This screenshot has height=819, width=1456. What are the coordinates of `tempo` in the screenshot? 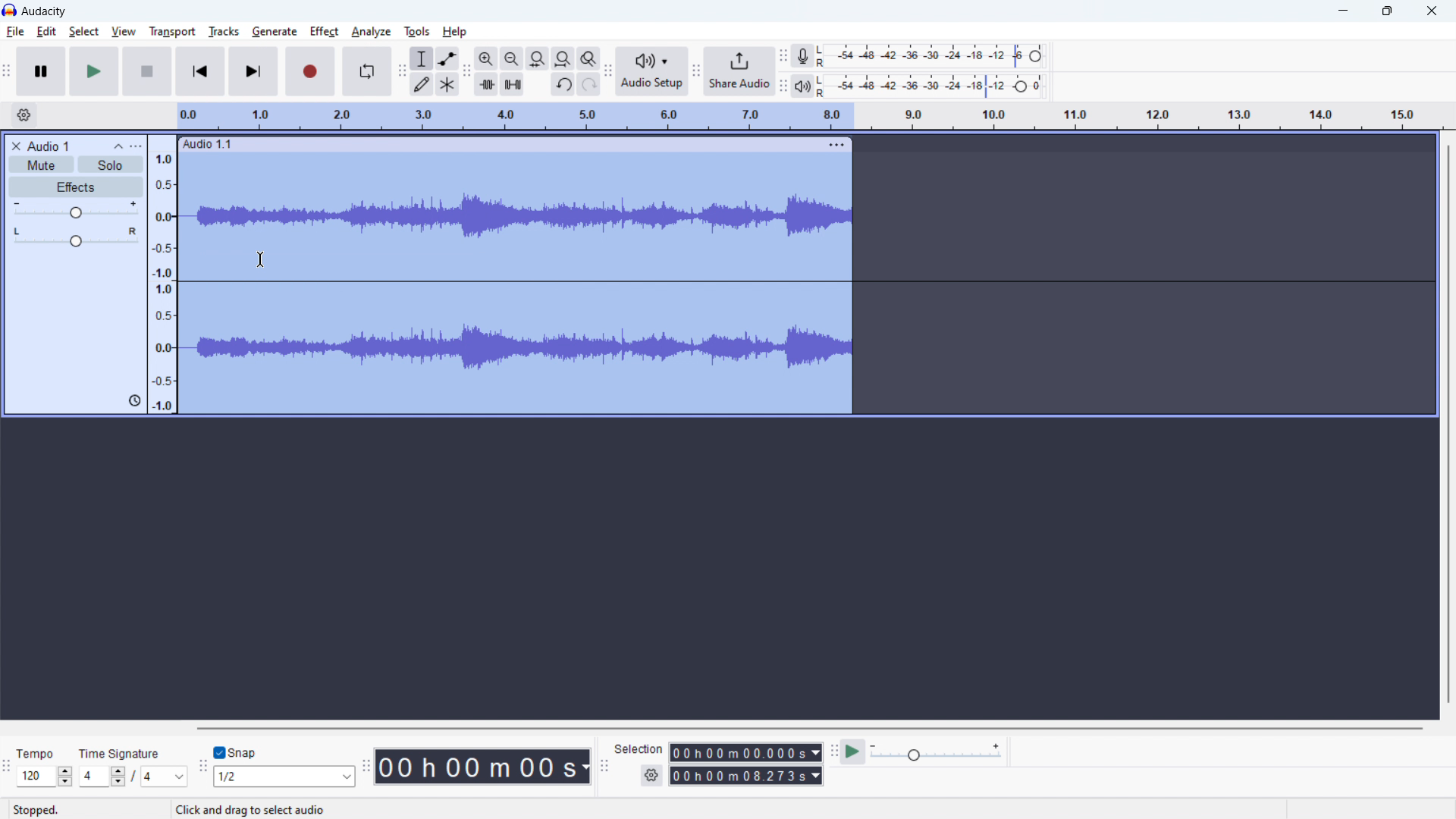 It's located at (44, 776).